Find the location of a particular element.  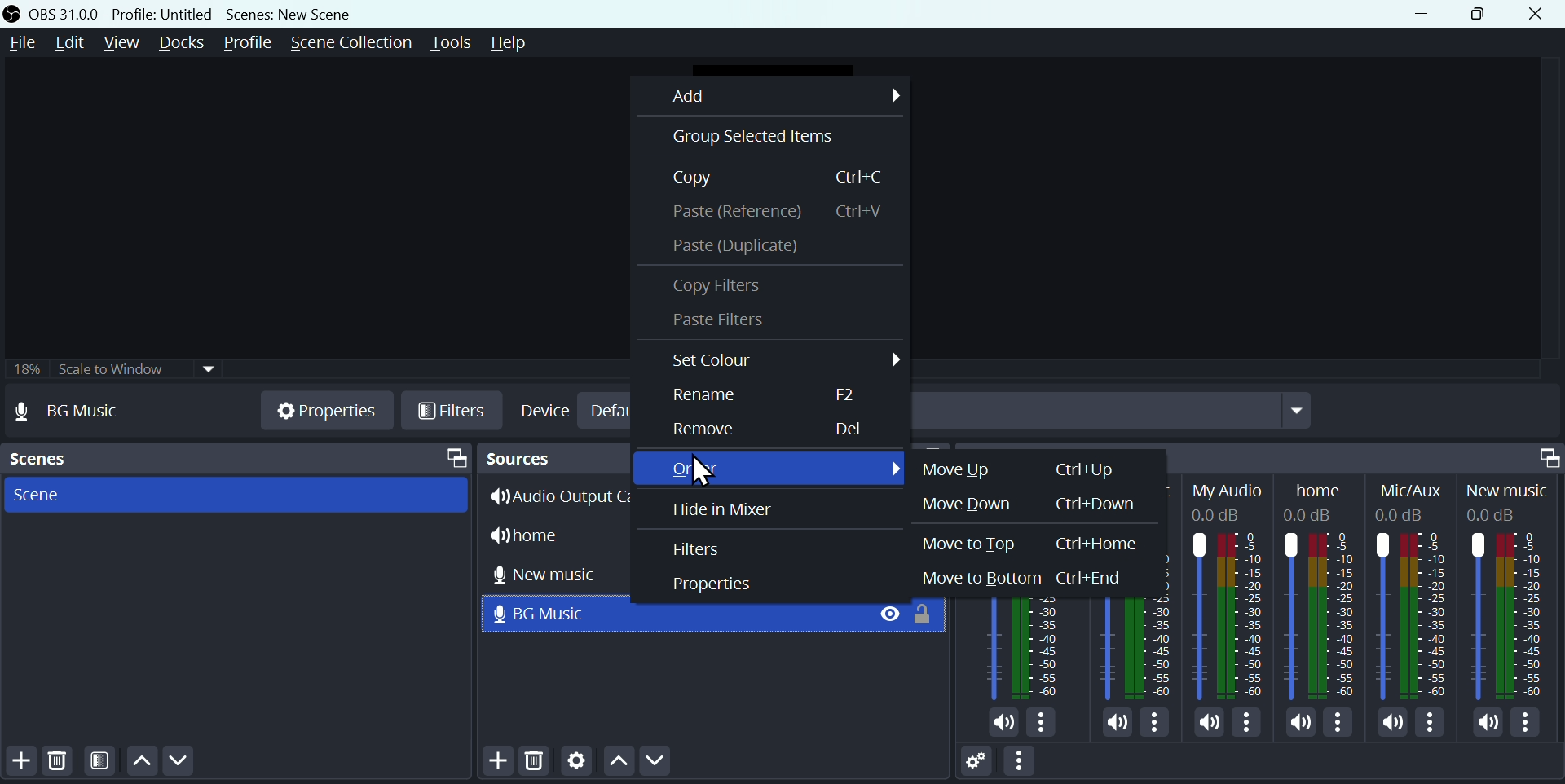

home is located at coordinates (553, 534).